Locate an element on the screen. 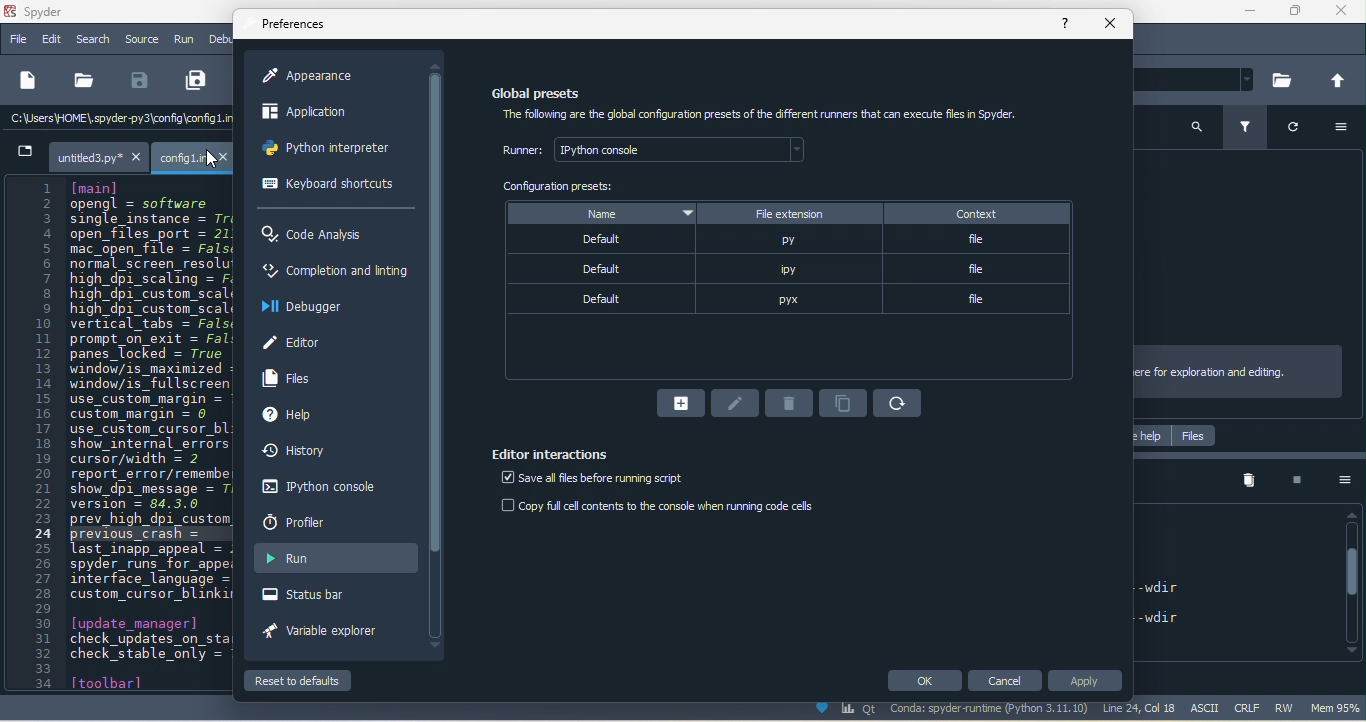  variable explorer is located at coordinates (324, 633).